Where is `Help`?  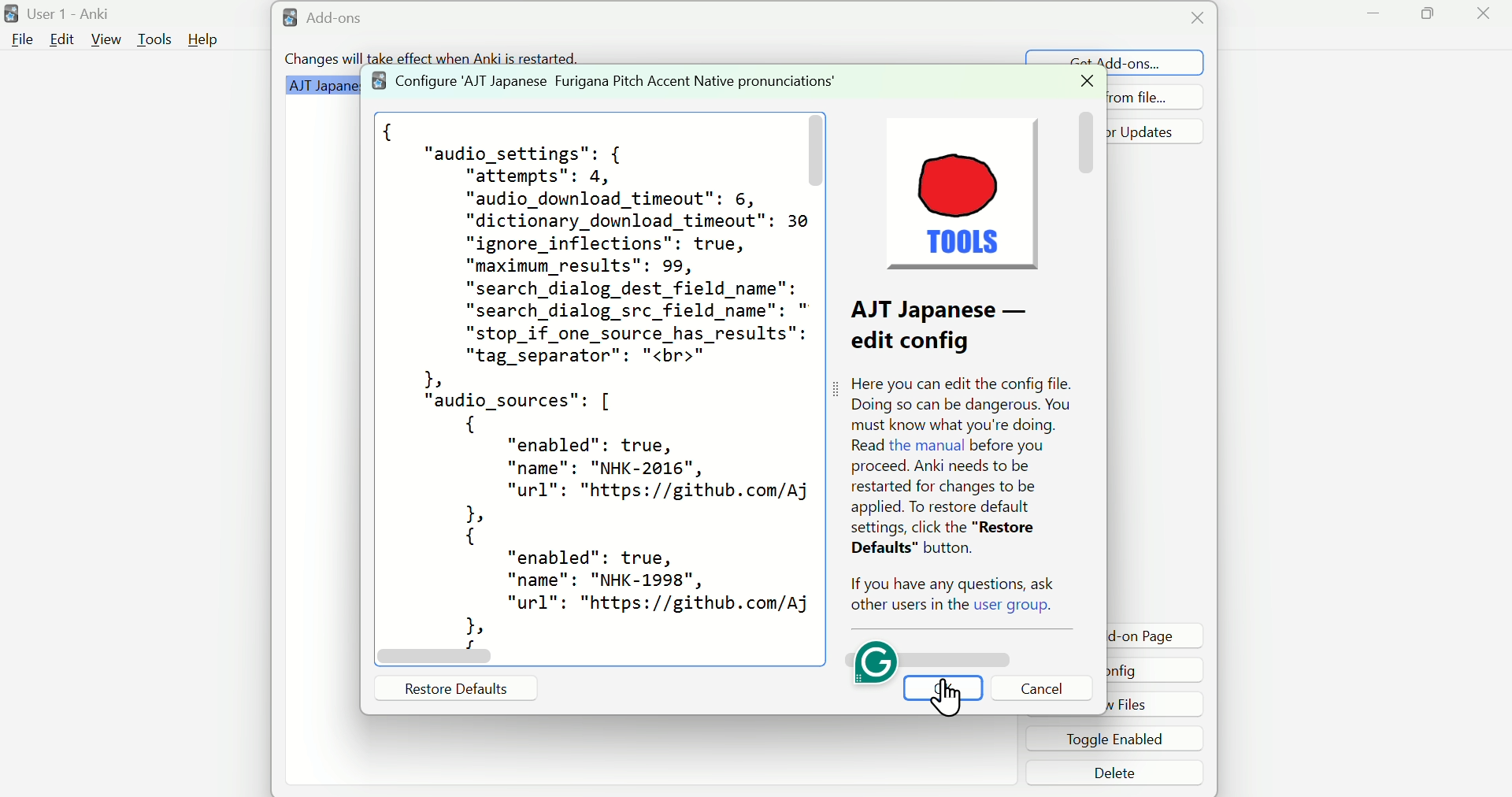
Help is located at coordinates (207, 40).